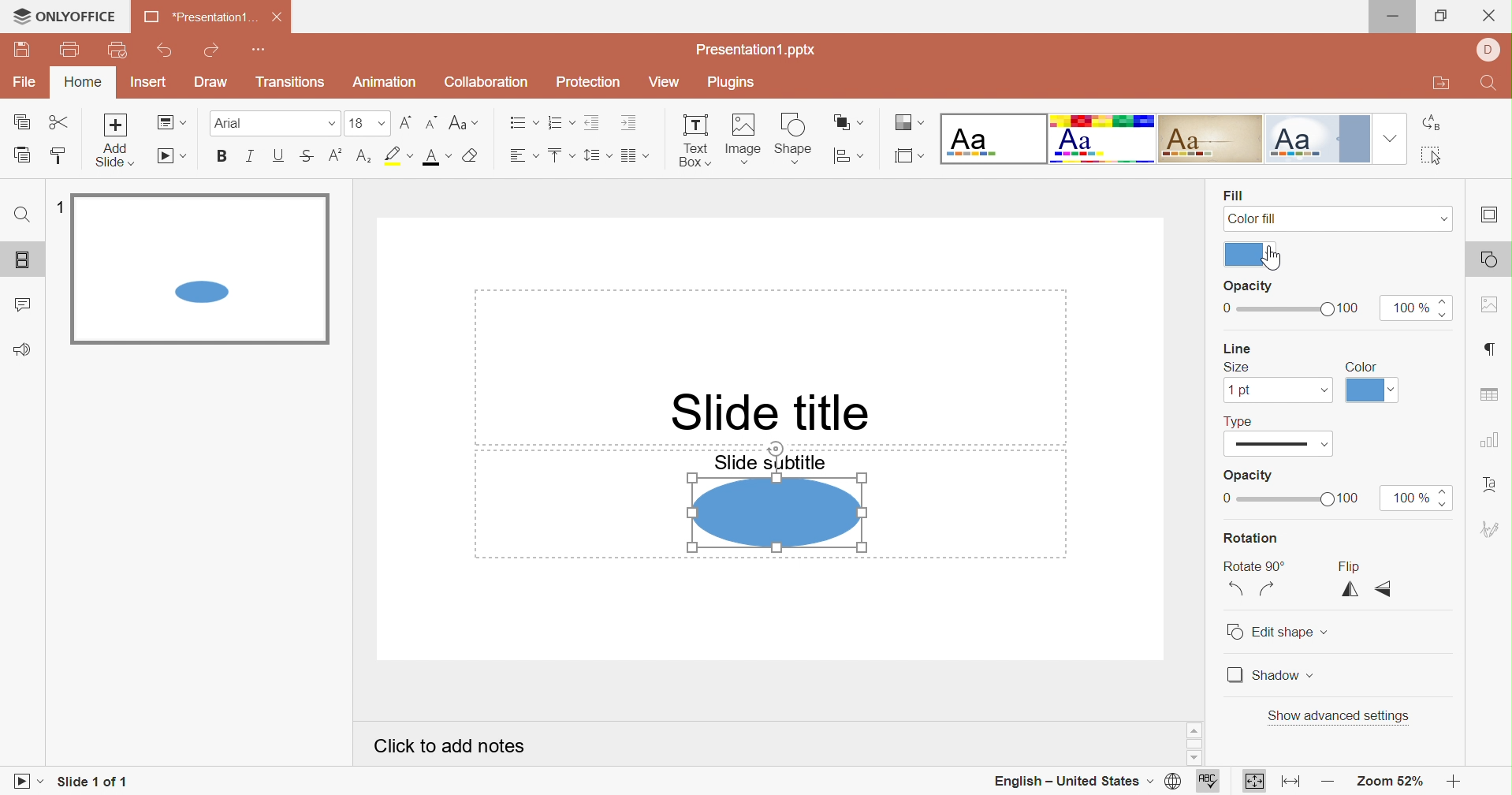 The image size is (1512, 795). Describe the element at coordinates (1431, 124) in the screenshot. I see `Replace` at that location.